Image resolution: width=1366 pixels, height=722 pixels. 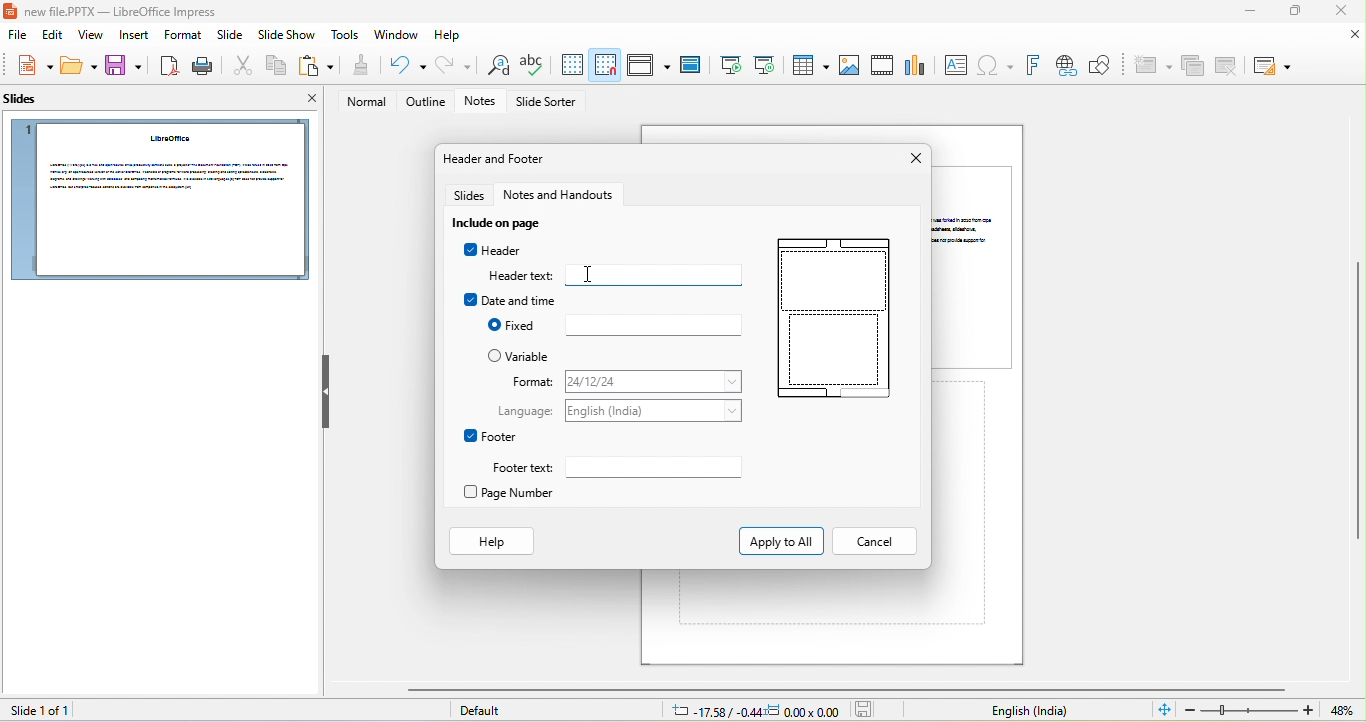 I want to click on slides, so click(x=28, y=103).